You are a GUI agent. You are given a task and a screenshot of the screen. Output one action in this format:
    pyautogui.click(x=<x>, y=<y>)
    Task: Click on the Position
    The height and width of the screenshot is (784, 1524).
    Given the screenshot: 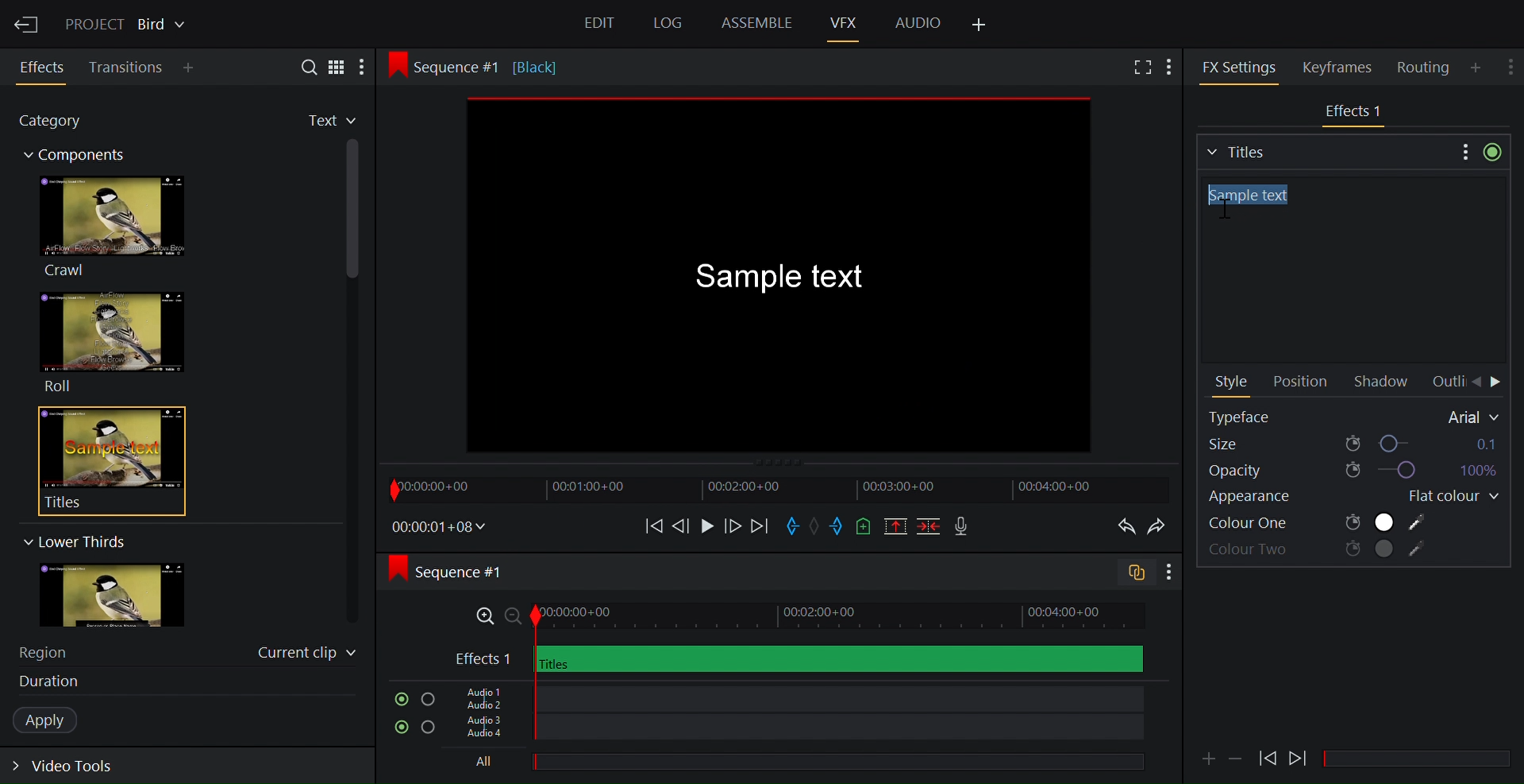 What is the action you would take?
    pyautogui.click(x=1299, y=382)
    